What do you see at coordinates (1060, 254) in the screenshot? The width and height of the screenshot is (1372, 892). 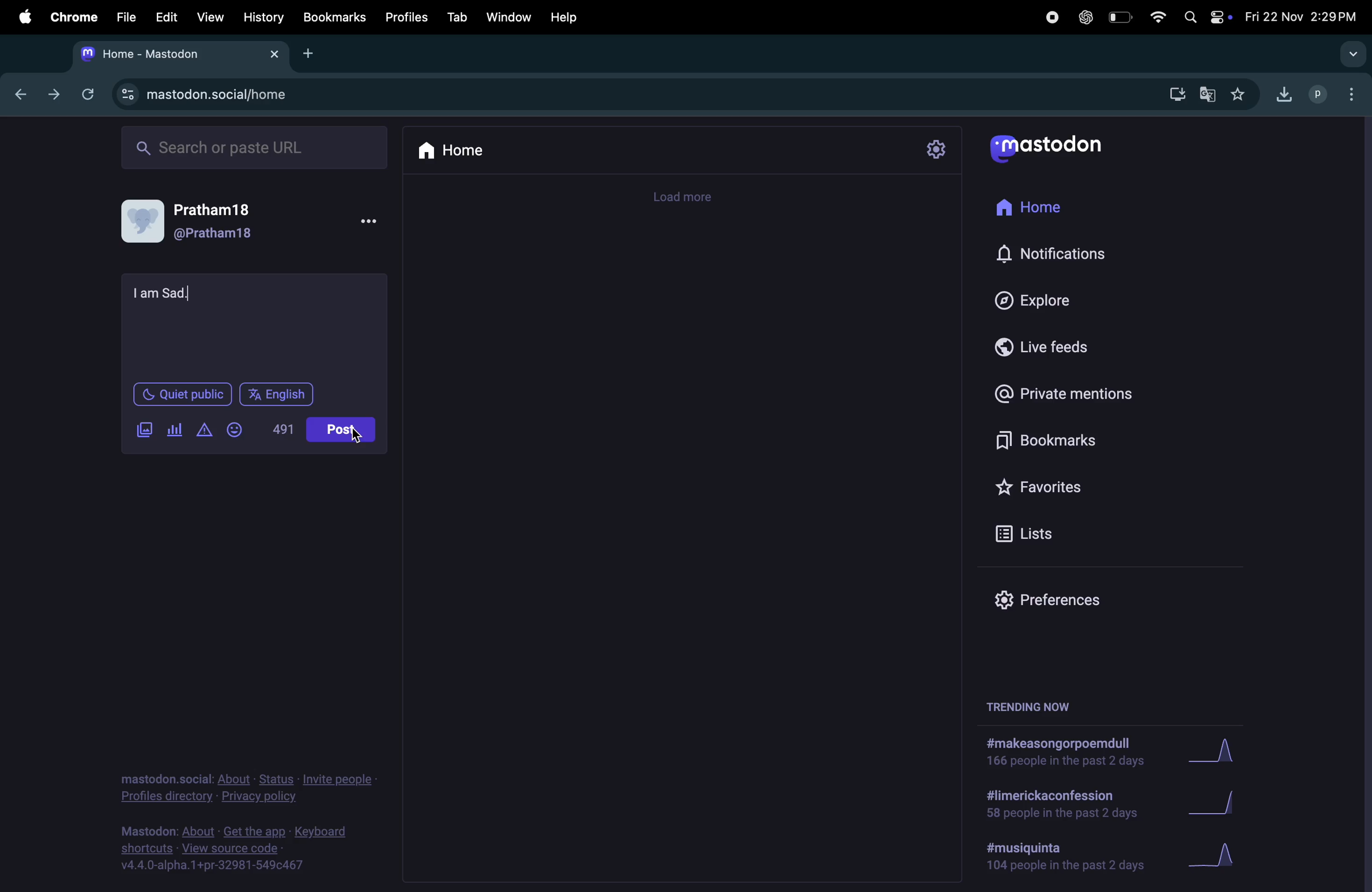 I see `notifications` at bounding box center [1060, 254].